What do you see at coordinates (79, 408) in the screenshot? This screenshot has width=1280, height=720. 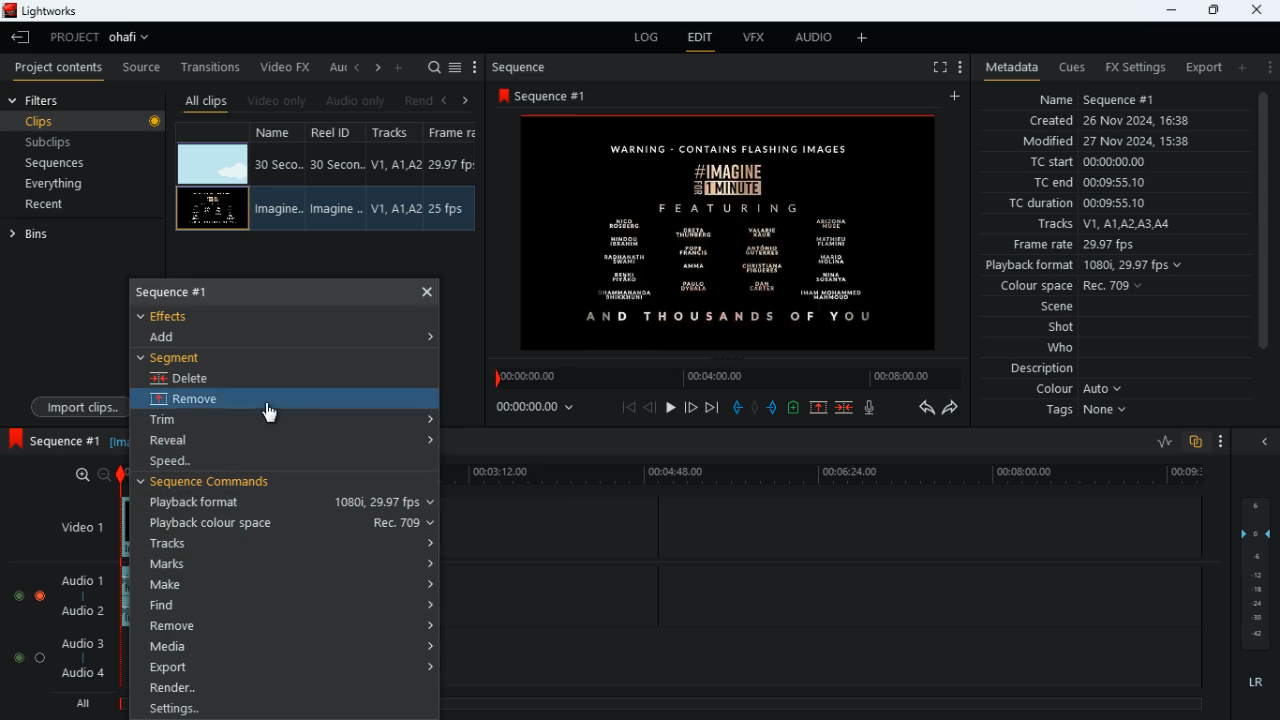 I see `import dips.` at bounding box center [79, 408].